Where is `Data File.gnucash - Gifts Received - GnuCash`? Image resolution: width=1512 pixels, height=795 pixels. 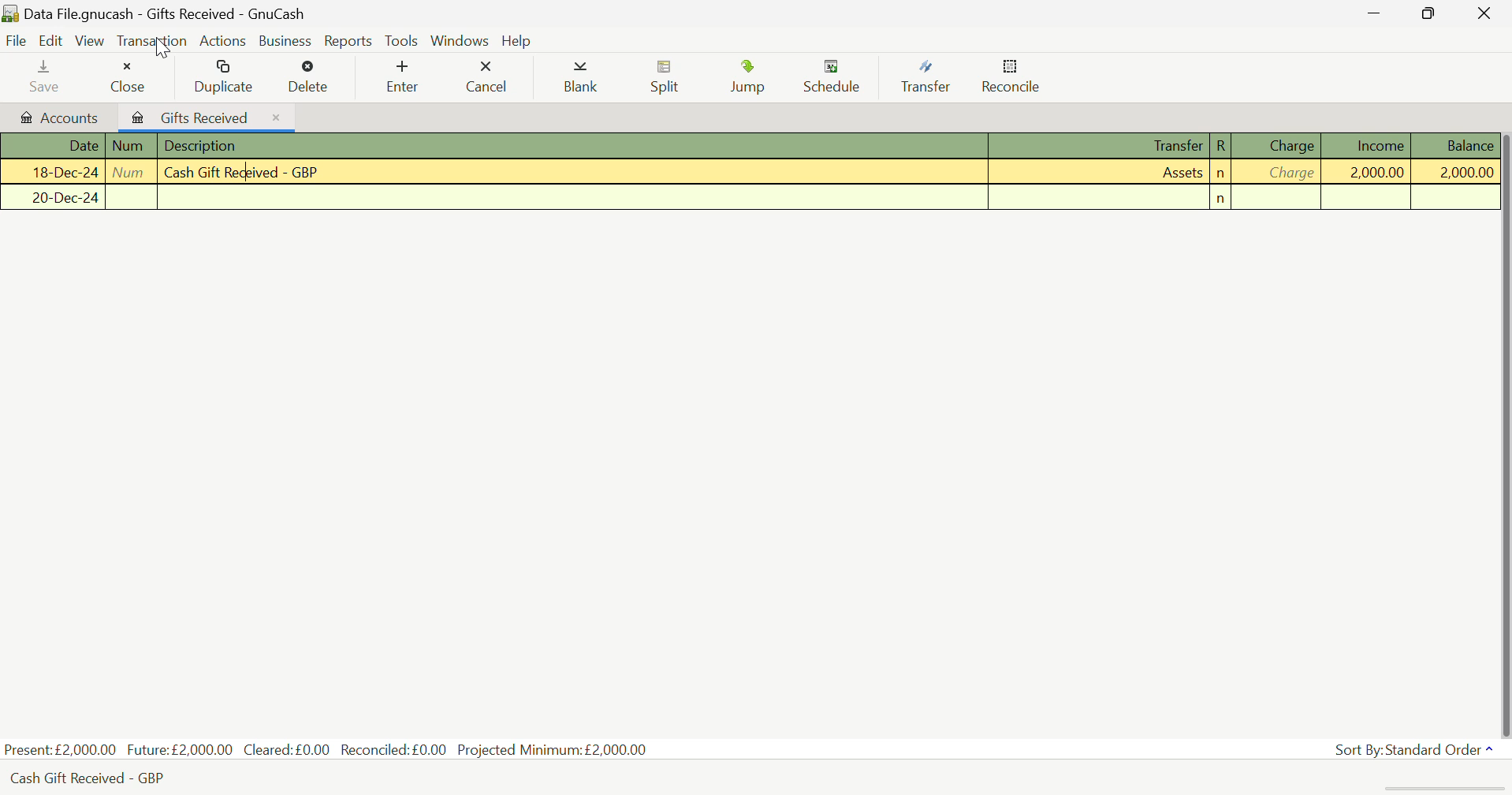
Data File.gnucash - Gifts Received - GnuCash is located at coordinates (191, 13).